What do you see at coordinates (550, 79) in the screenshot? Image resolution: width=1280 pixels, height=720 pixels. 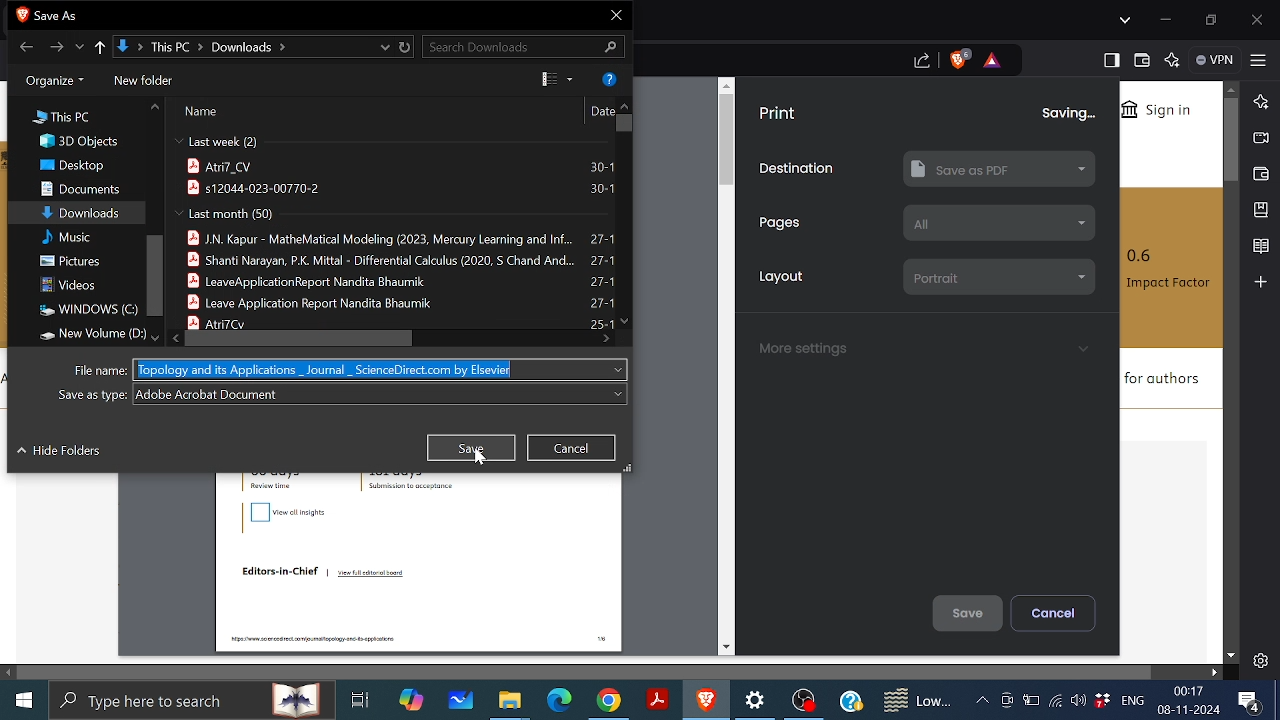 I see `Change your view` at bounding box center [550, 79].